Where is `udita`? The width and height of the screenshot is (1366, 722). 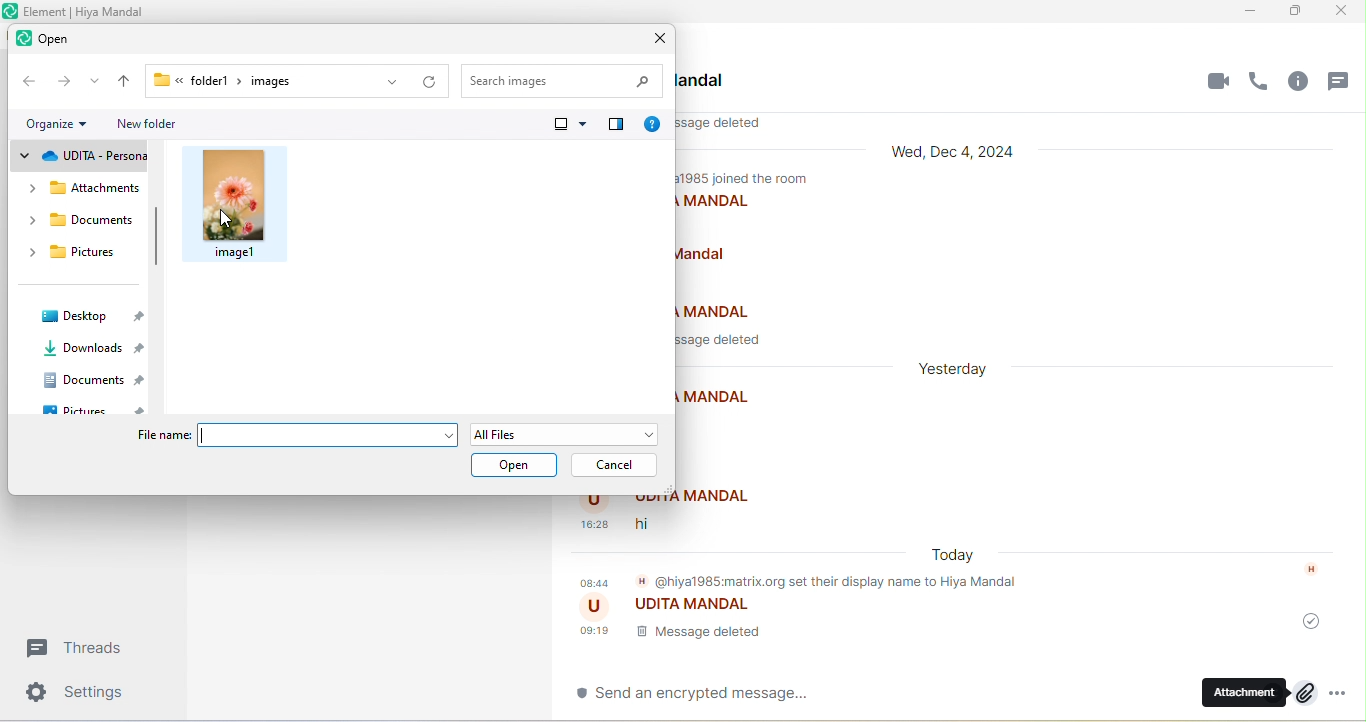
udita is located at coordinates (79, 154).